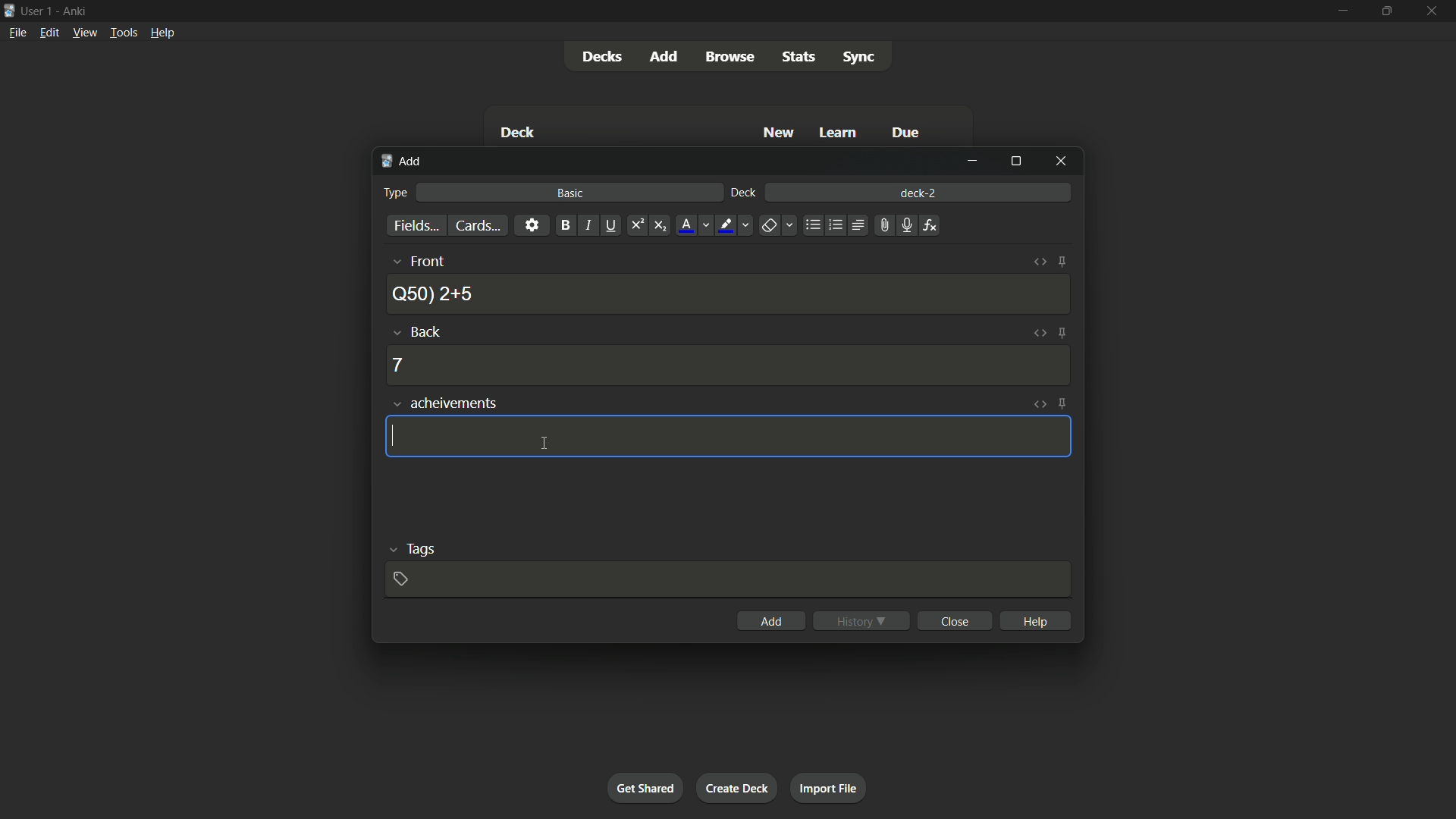  Describe the element at coordinates (858, 224) in the screenshot. I see `alignment` at that location.